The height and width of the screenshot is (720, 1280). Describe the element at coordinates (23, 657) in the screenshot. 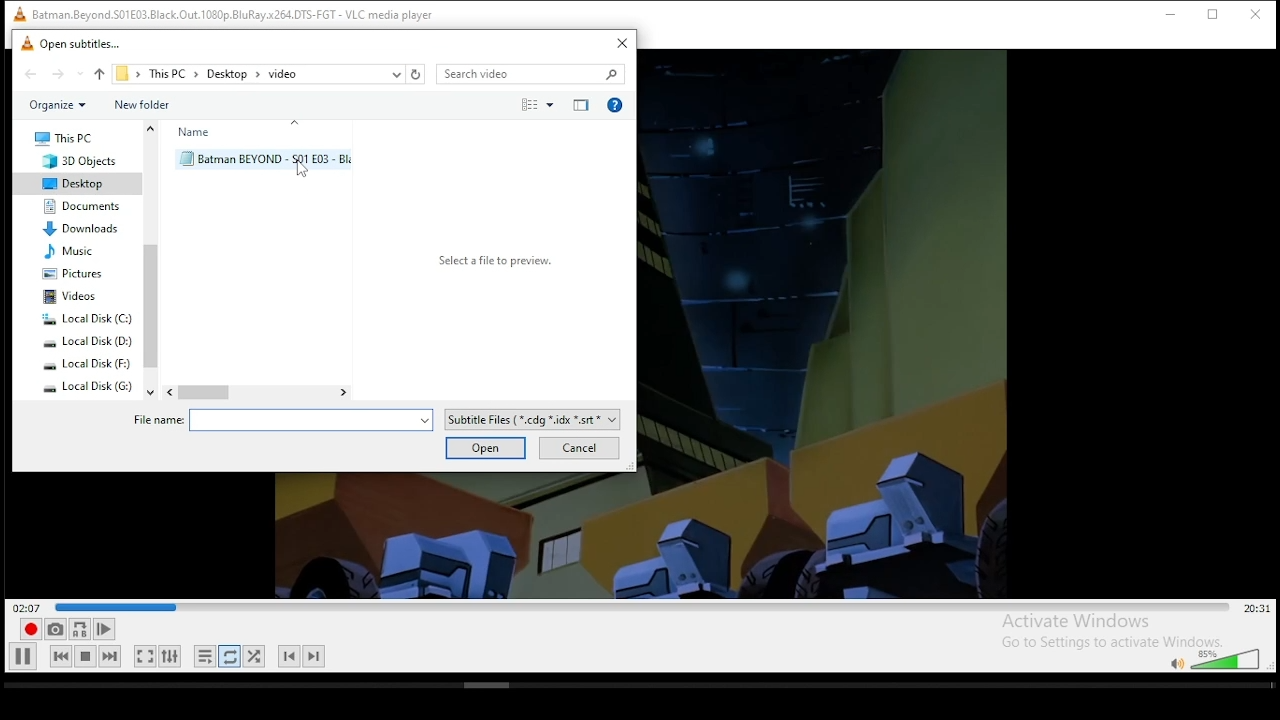

I see `play/pause` at that location.